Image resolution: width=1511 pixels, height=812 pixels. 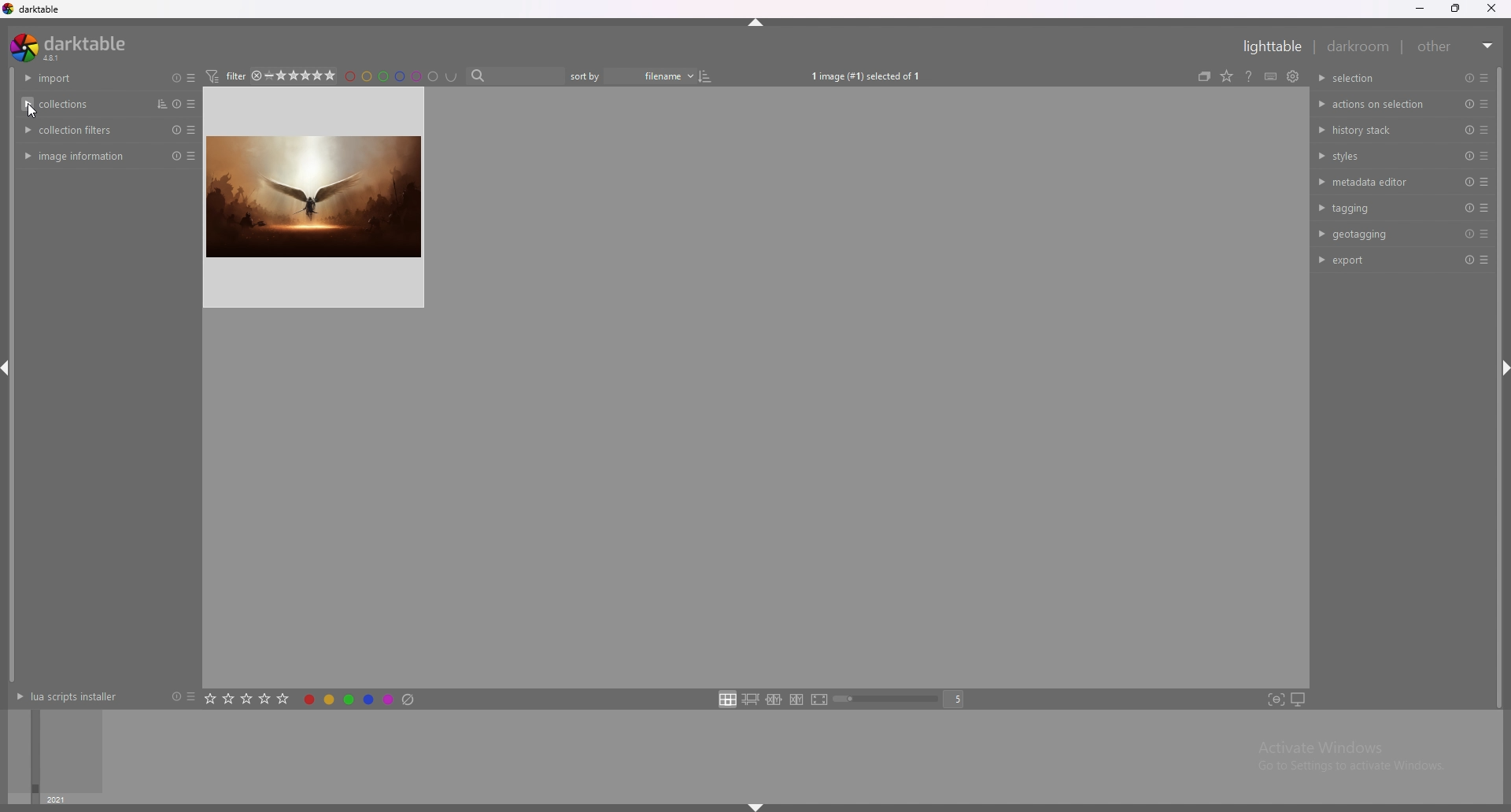 I want to click on presets, so click(x=194, y=104).